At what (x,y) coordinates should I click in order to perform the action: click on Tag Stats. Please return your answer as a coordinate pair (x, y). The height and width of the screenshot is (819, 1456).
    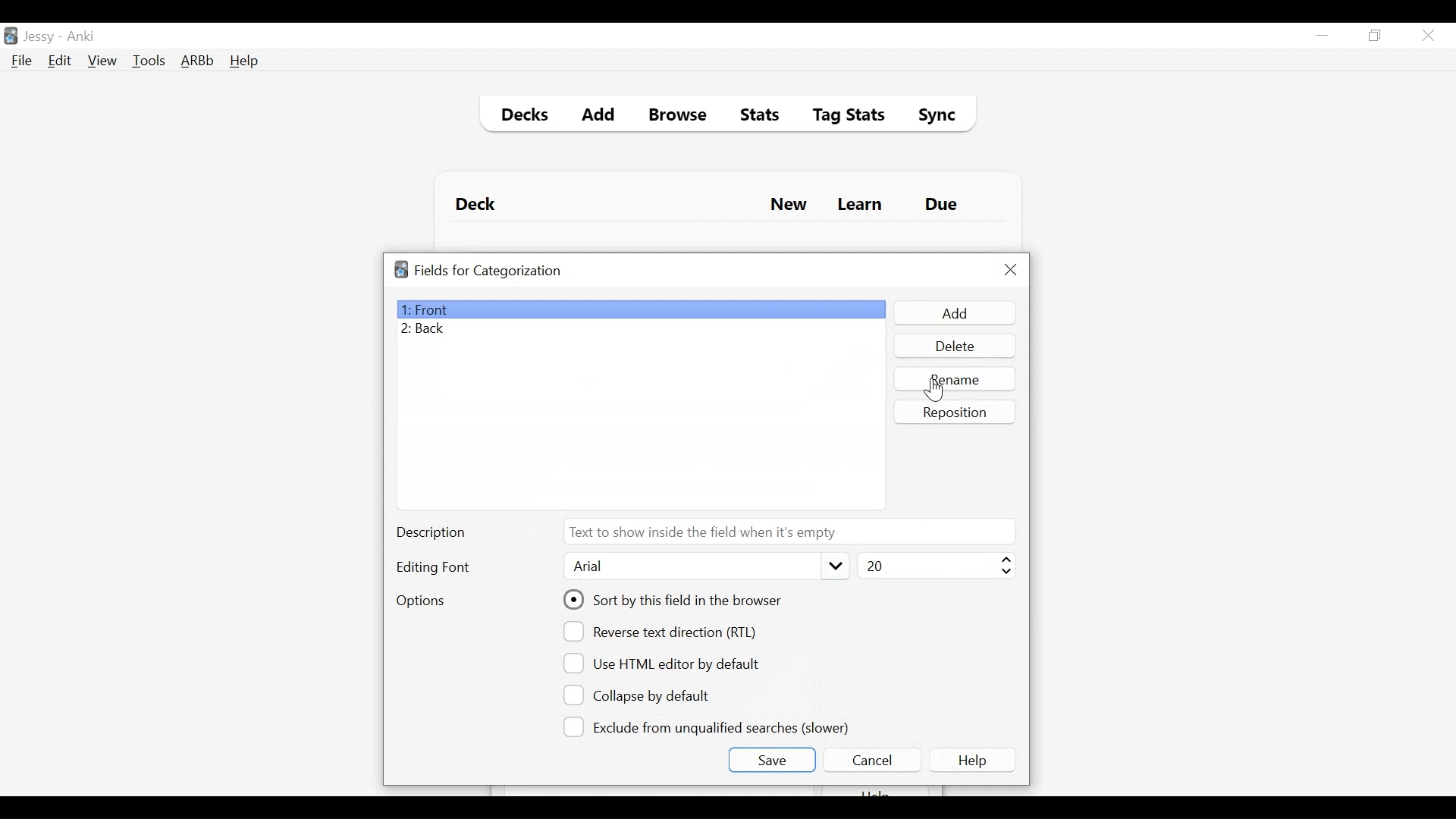
    Looking at the image, I should click on (840, 117).